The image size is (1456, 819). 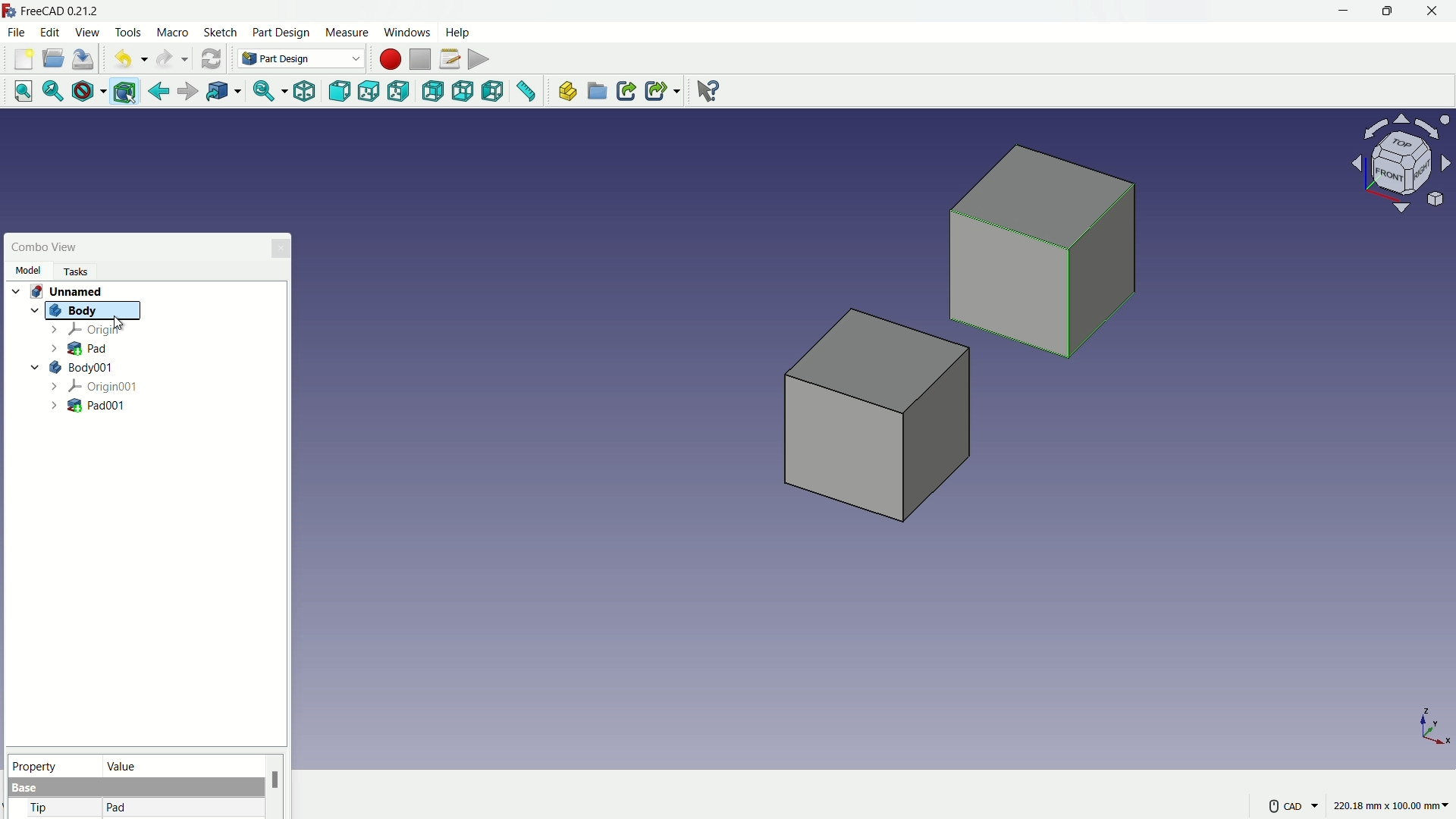 What do you see at coordinates (180, 765) in the screenshot?
I see `value` at bounding box center [180, 765].